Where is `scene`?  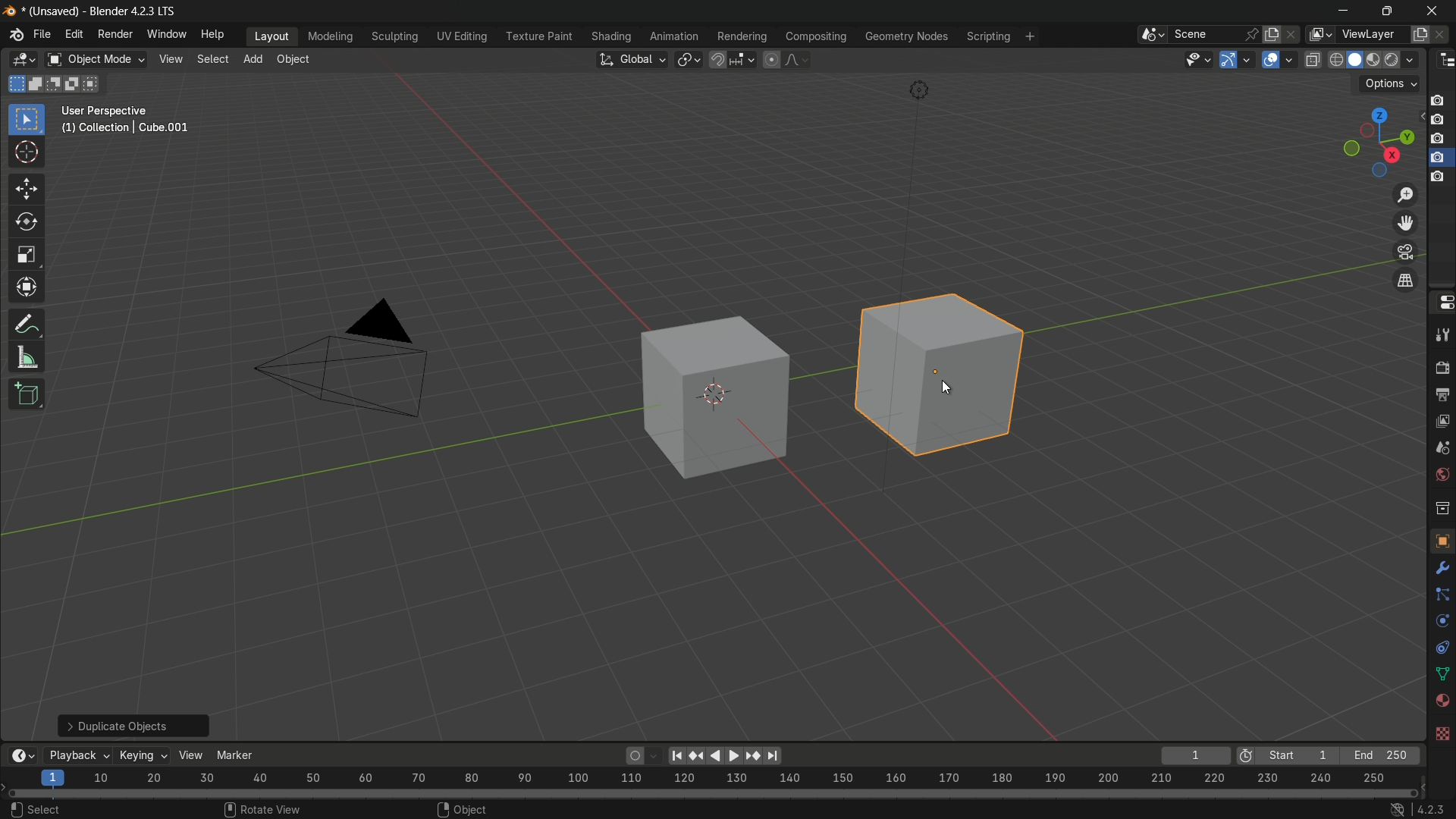 scene is located at coordinates (1442, 446).